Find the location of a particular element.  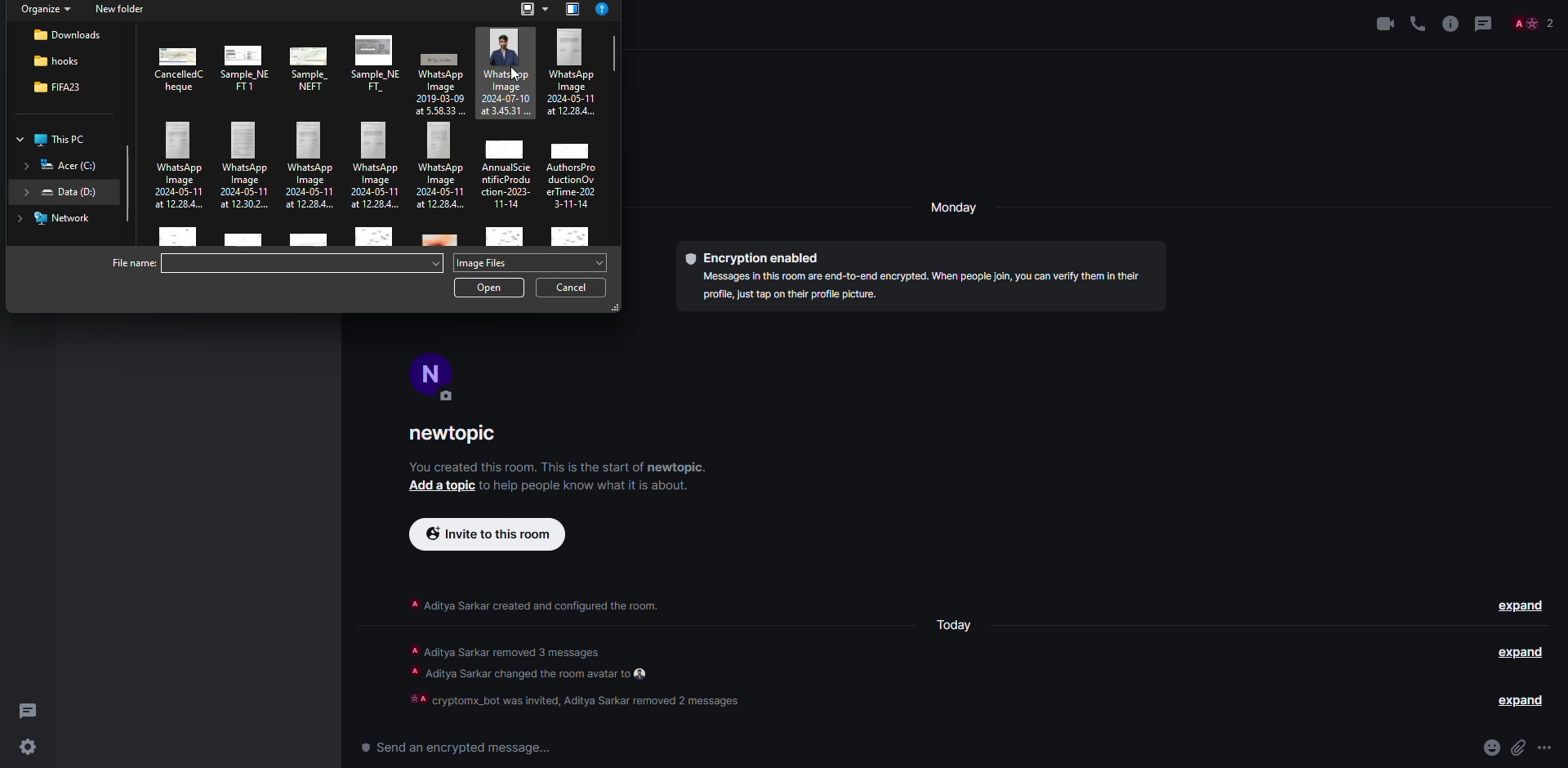

location is located at coordinates (60, 165).